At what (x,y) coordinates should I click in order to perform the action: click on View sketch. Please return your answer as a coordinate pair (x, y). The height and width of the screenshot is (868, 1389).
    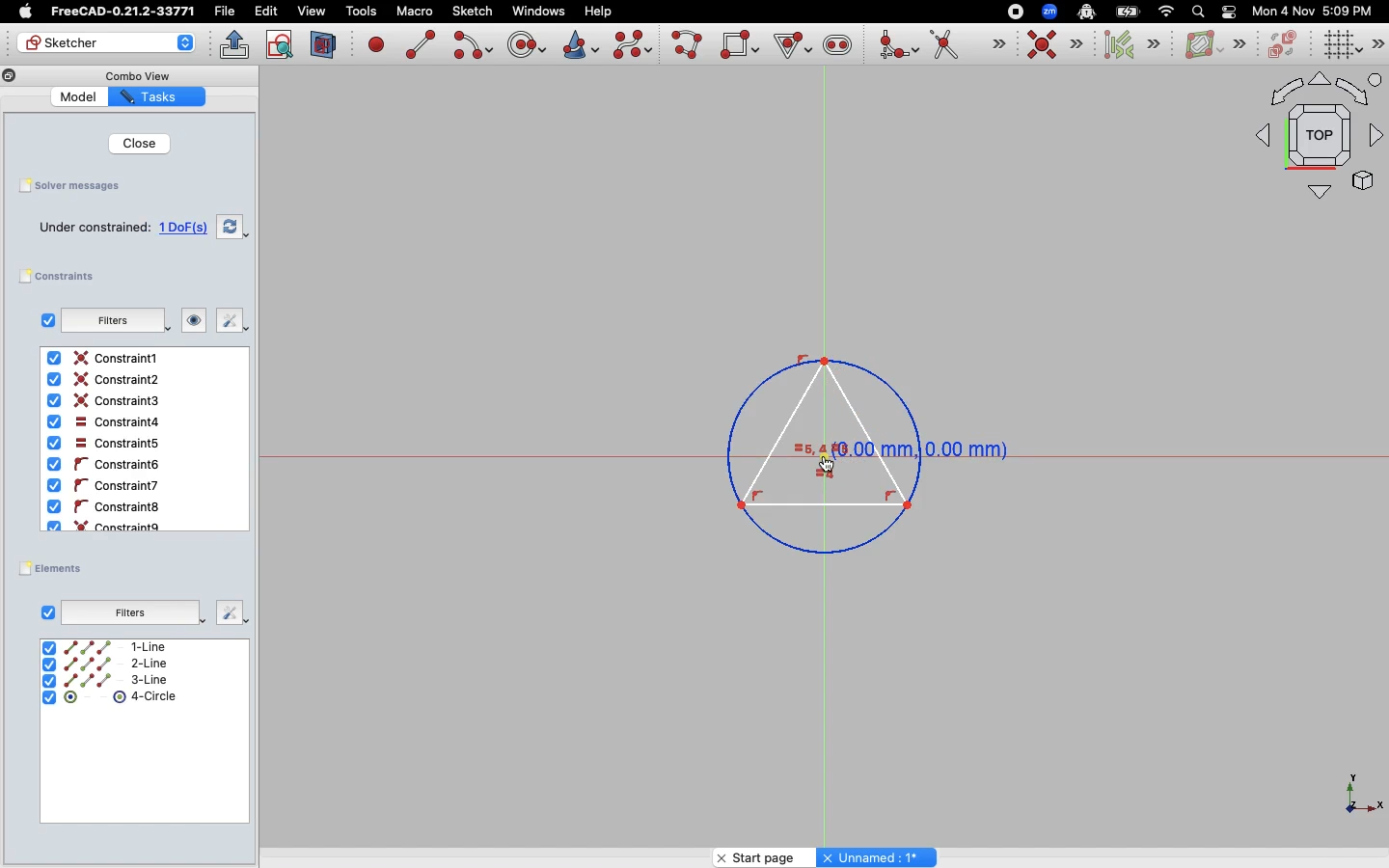
    Looking at the image, I should click on (281, 45).